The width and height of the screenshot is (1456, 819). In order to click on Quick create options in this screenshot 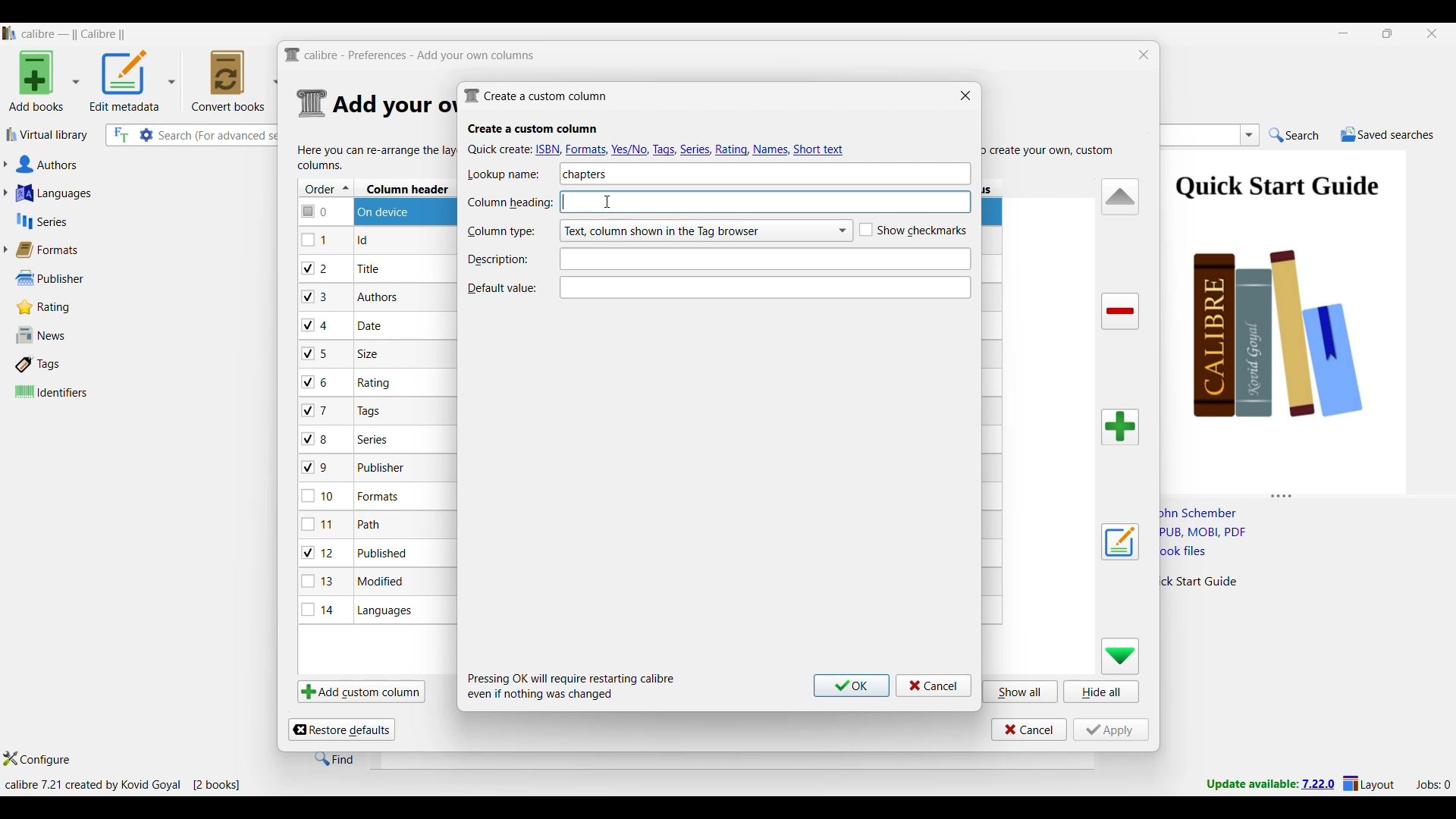, I will do `click(658, 149)`.